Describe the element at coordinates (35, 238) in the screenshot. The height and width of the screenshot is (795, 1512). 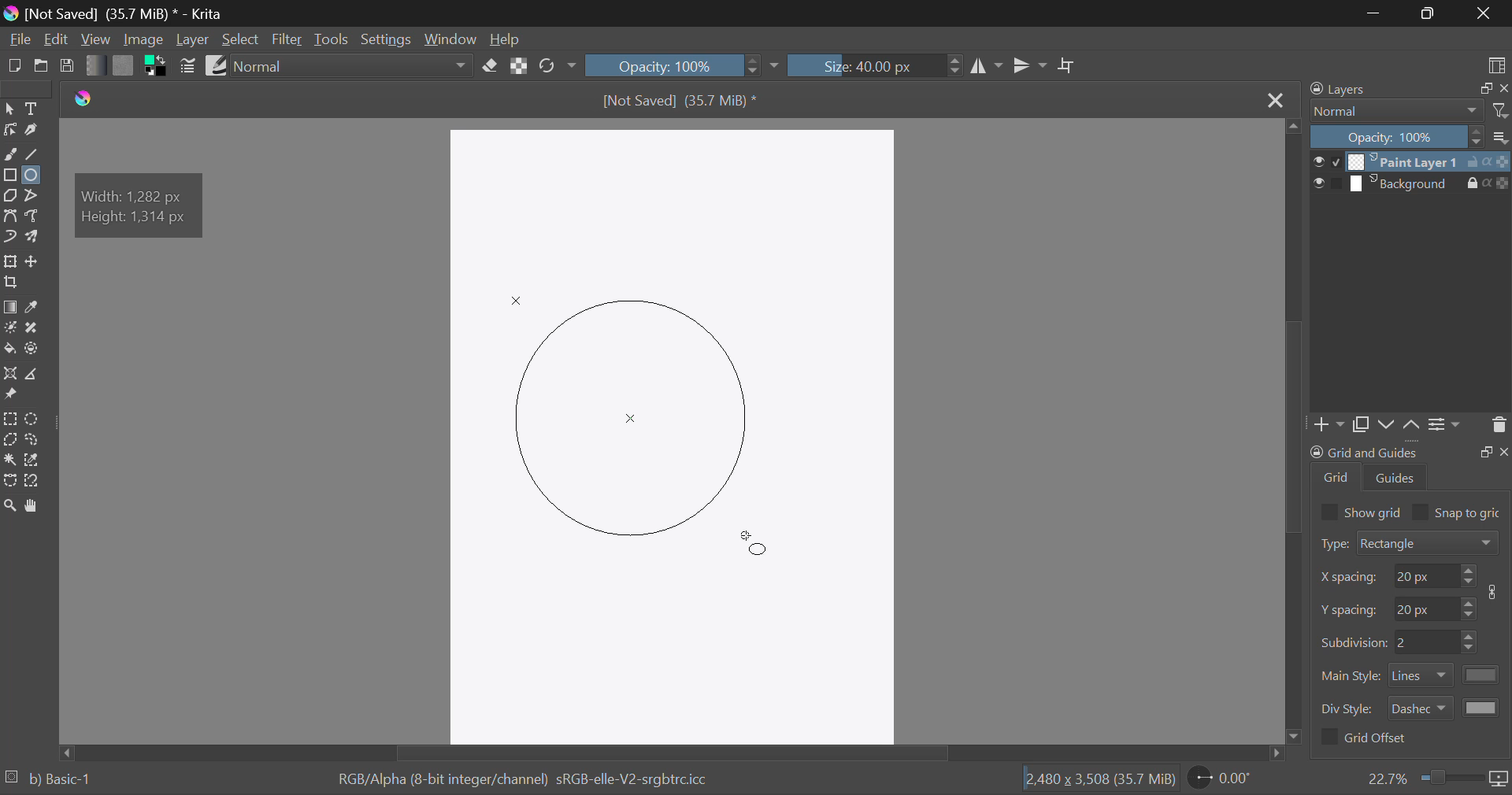
I see `Multibrush Tool` at that location.